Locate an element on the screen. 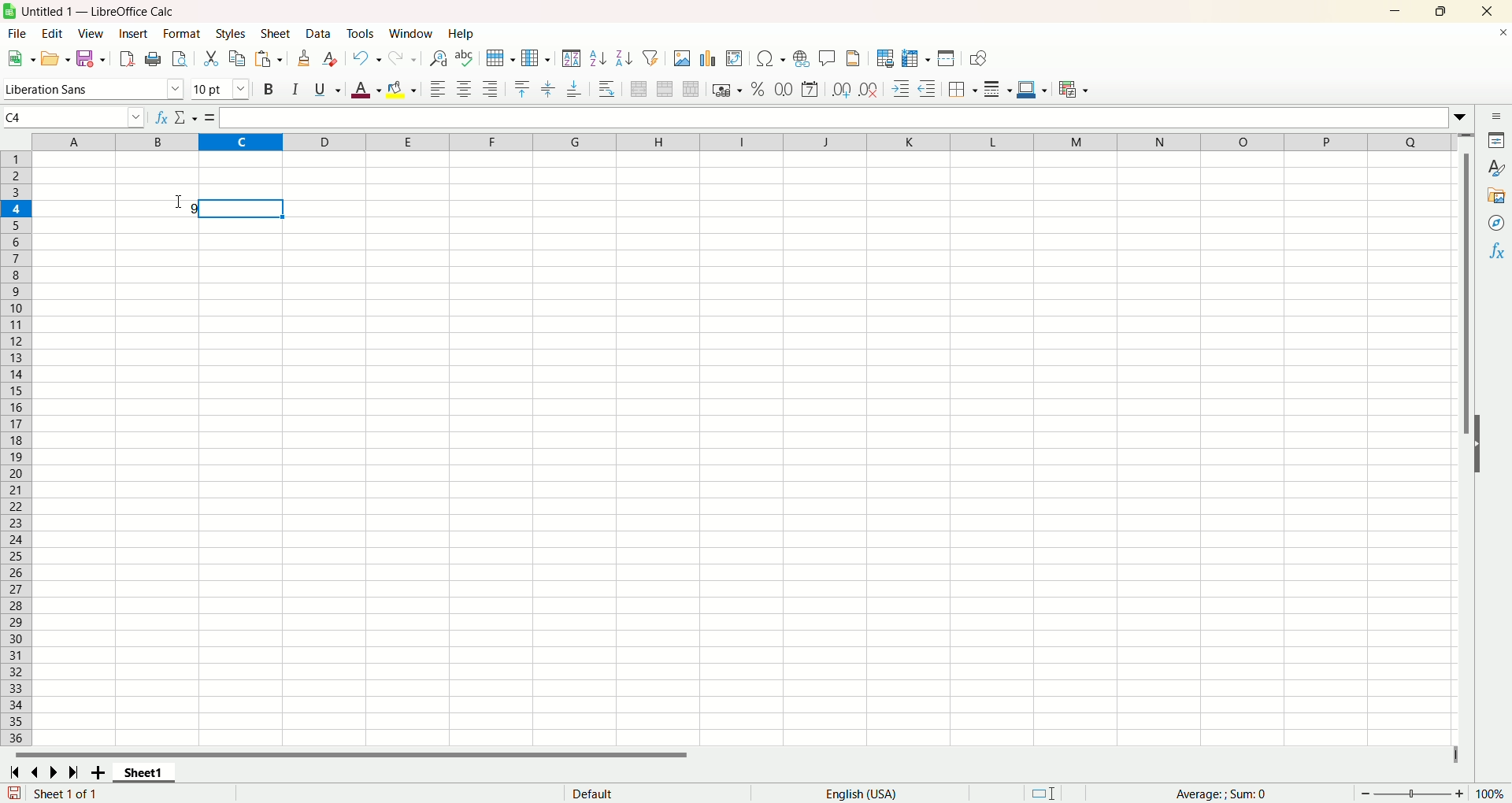  find and replace is located at coordinates (437, 59).